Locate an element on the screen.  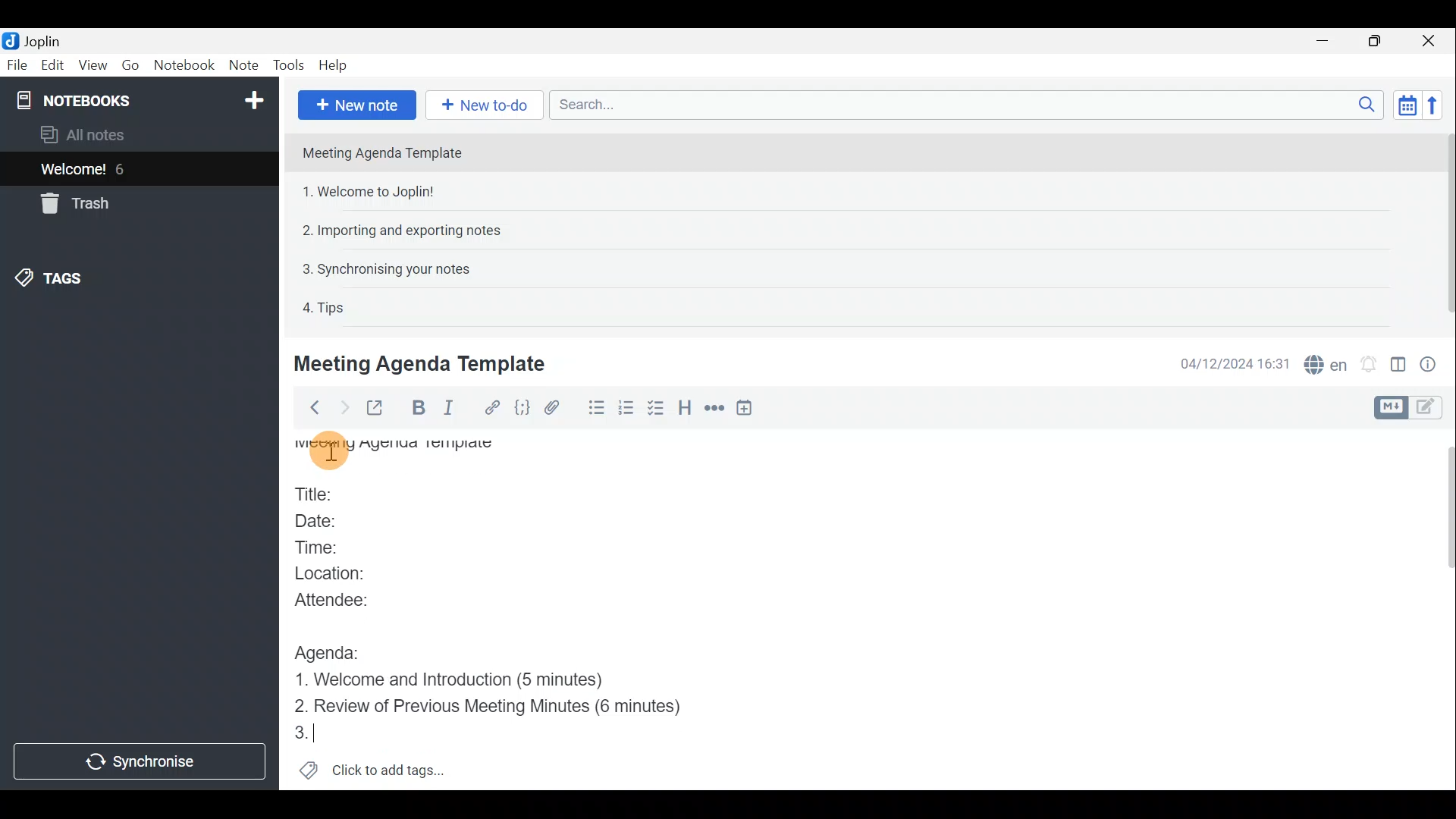
Tools is located at coordinates (287, 64).